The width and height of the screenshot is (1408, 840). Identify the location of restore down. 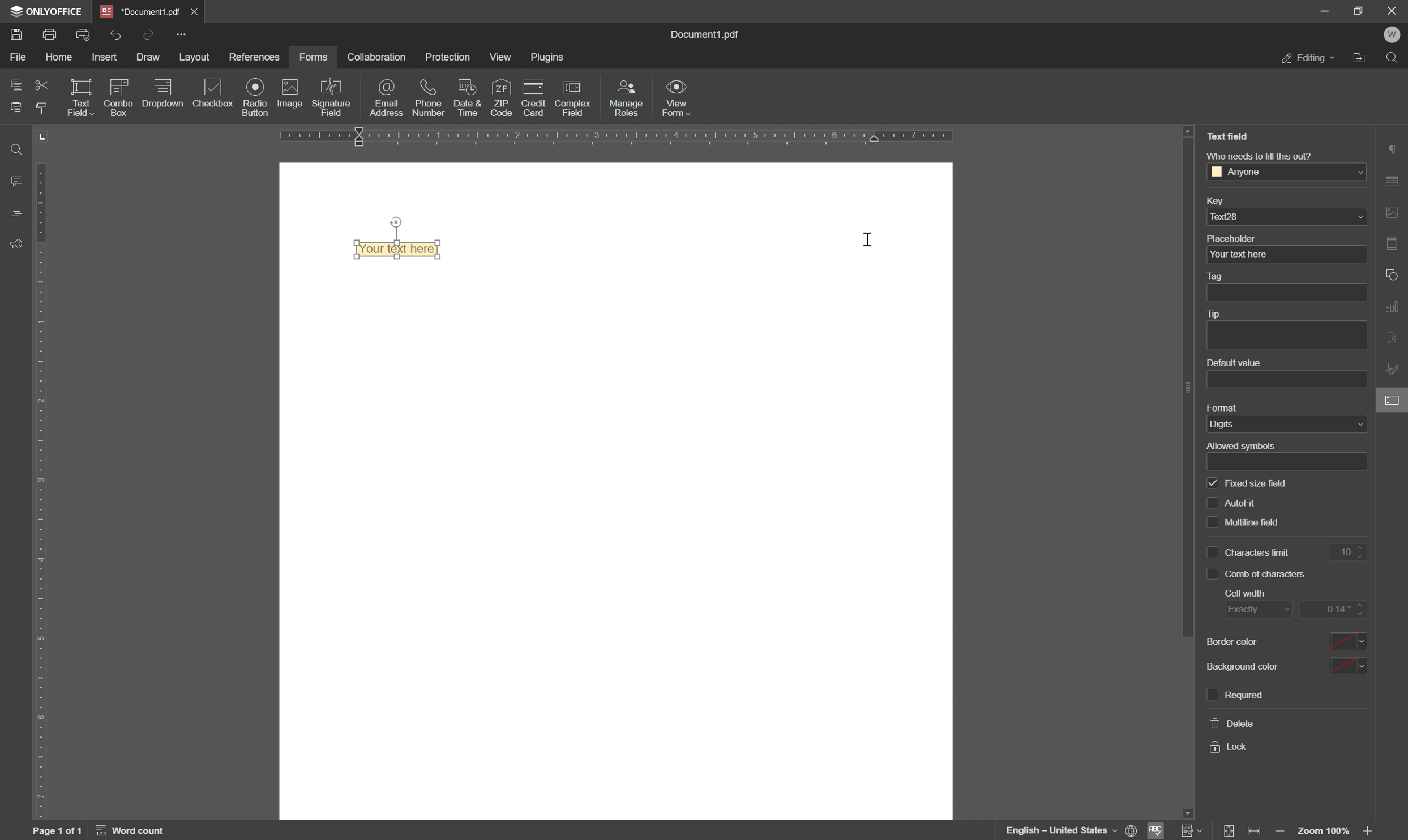
(1359, 10).